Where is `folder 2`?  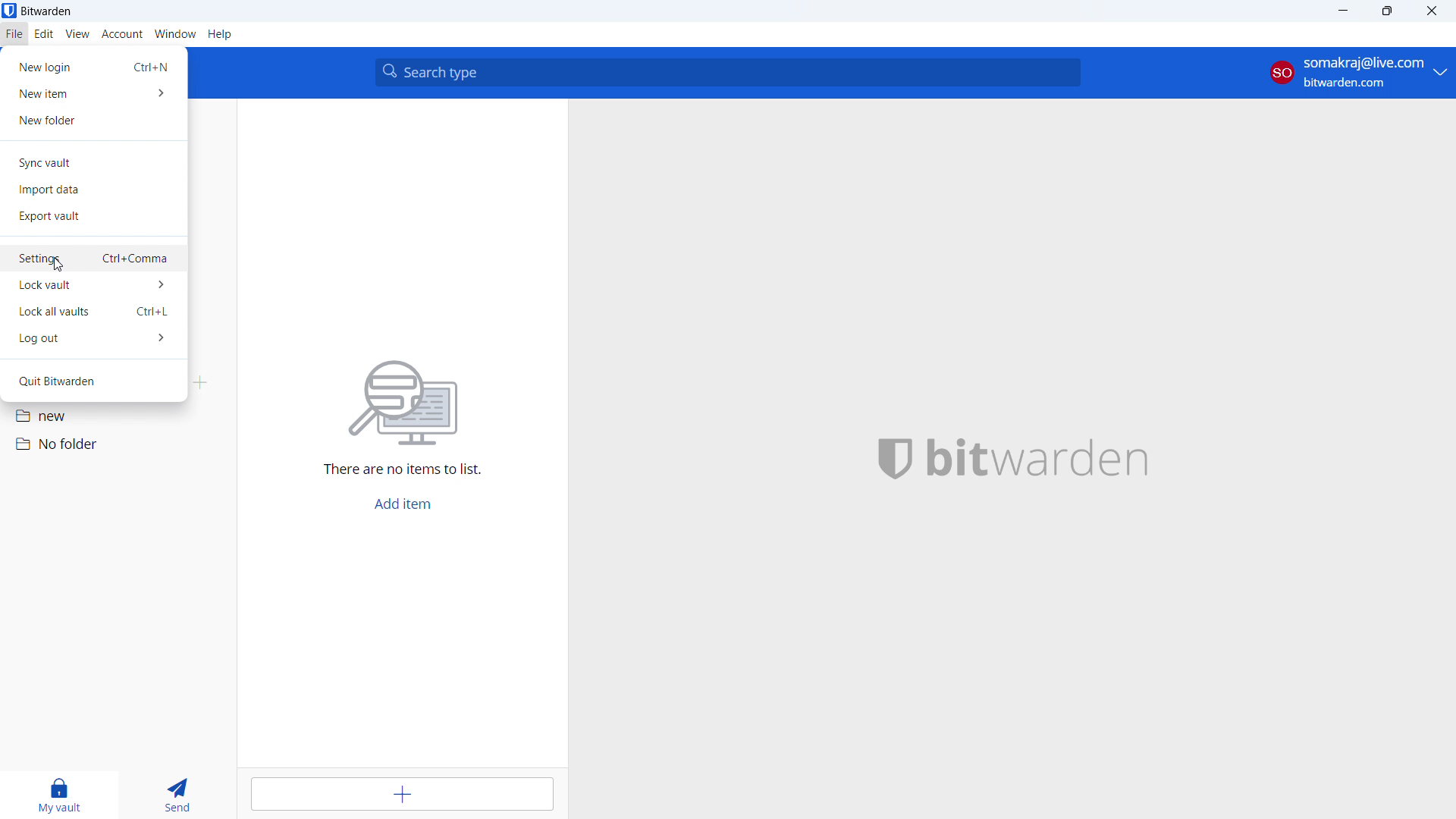
folder 2 is located at coordinates (117, 444).